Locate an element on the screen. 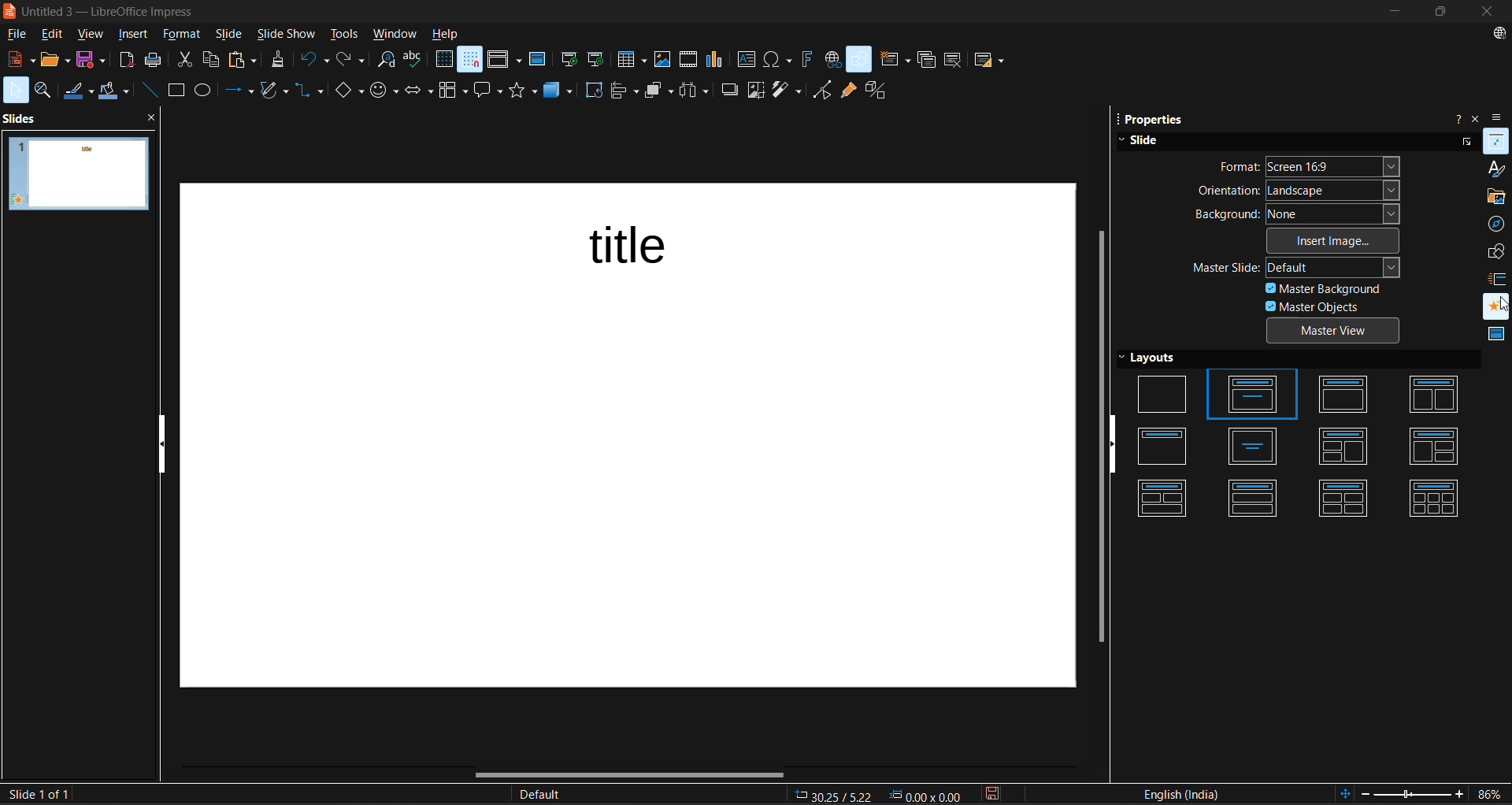 The height and width of the screenshot is (805, 1512). save is located at coordinates (93, 59).